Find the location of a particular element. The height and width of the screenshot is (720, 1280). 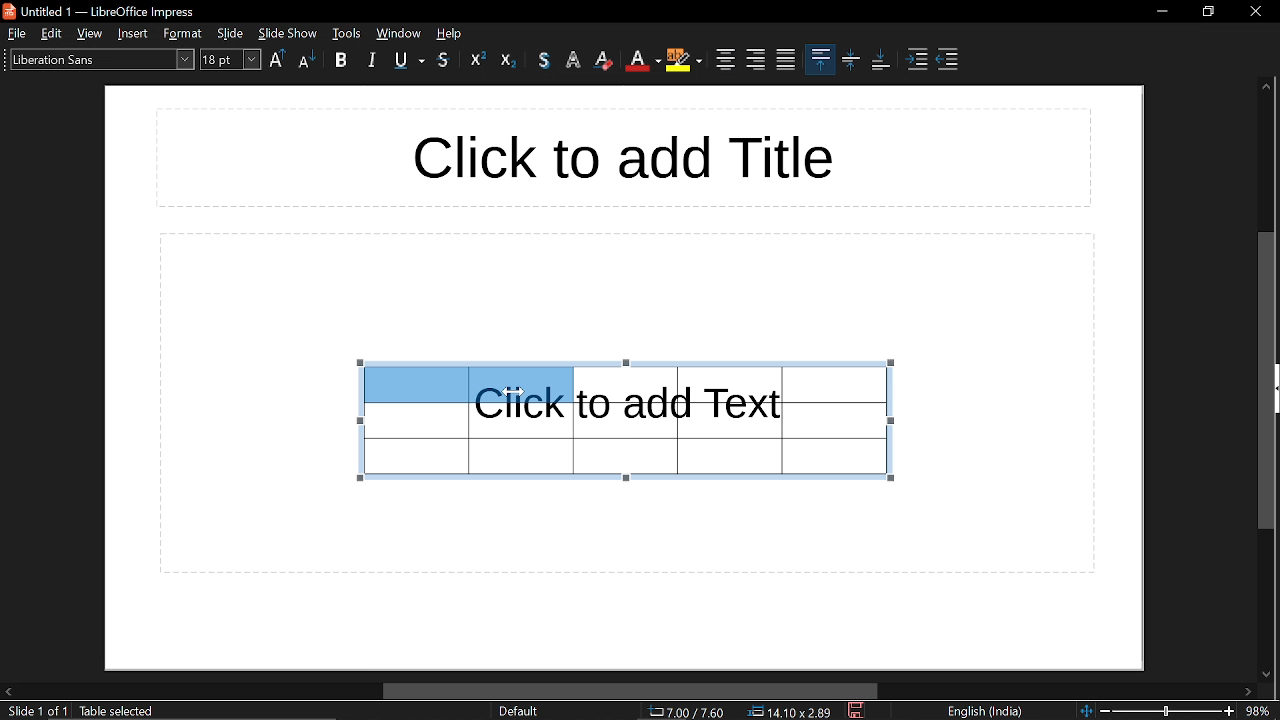

selected cells is located at coordinates (466, 383).